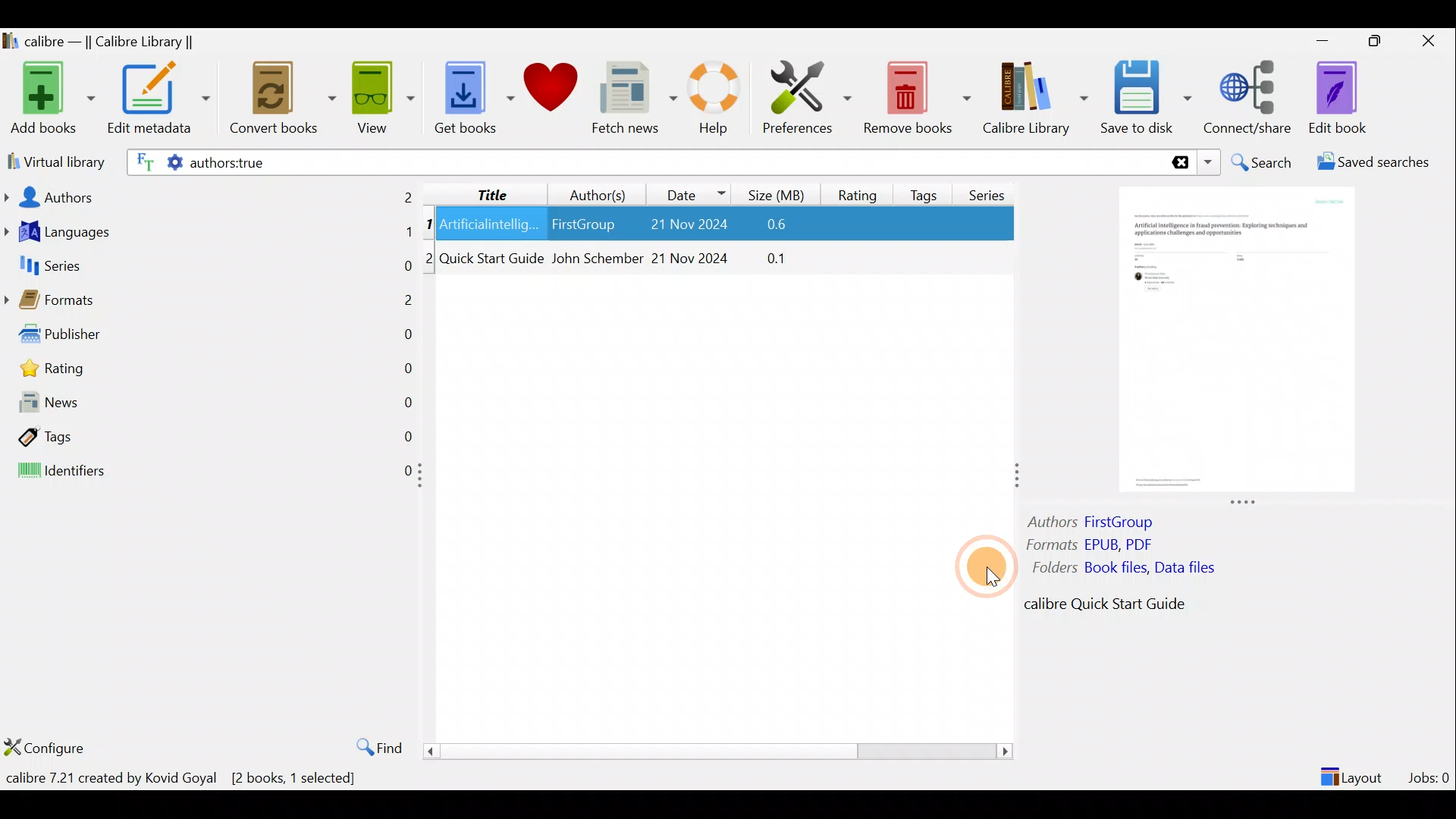  What do you see at coordinates (1232, 343) in the screenshot?
I see `Preview` at bounding box center [1232, 343].